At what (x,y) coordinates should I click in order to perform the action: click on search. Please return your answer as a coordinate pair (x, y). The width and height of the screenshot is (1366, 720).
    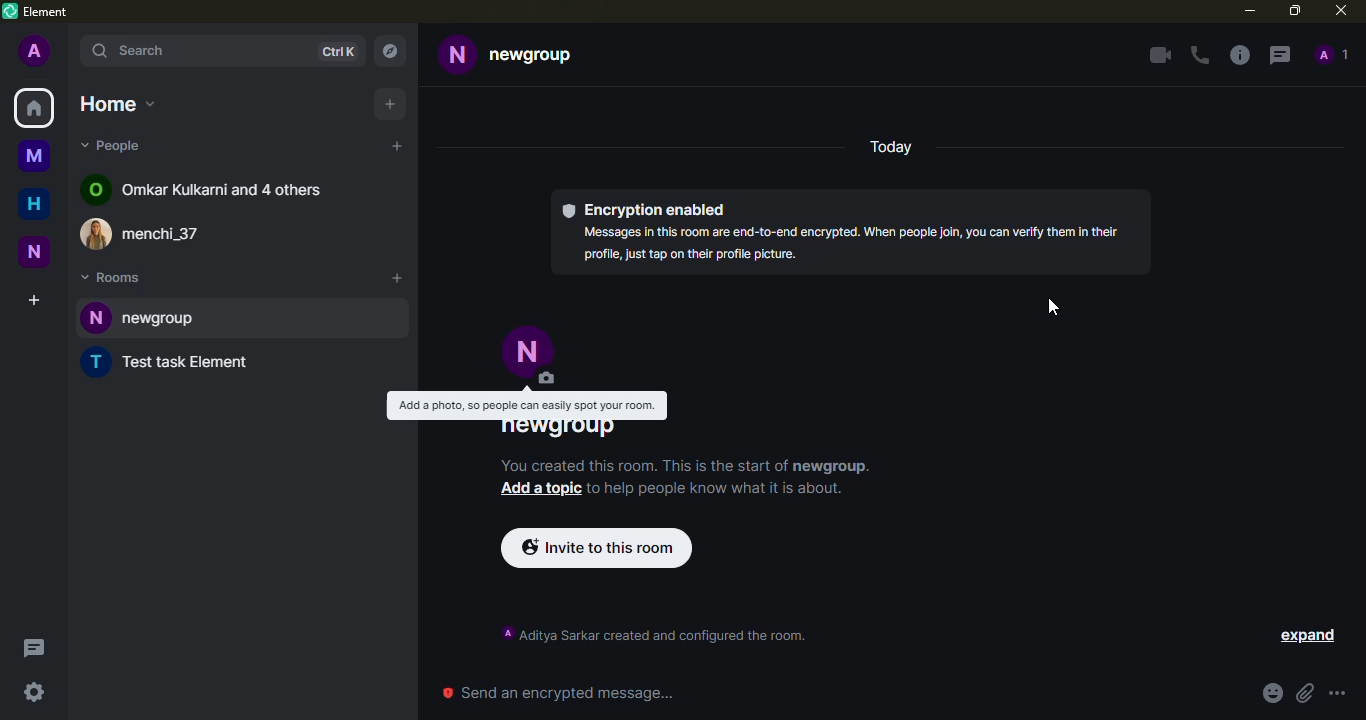
    Looking at the image, I should click on (196, 51).